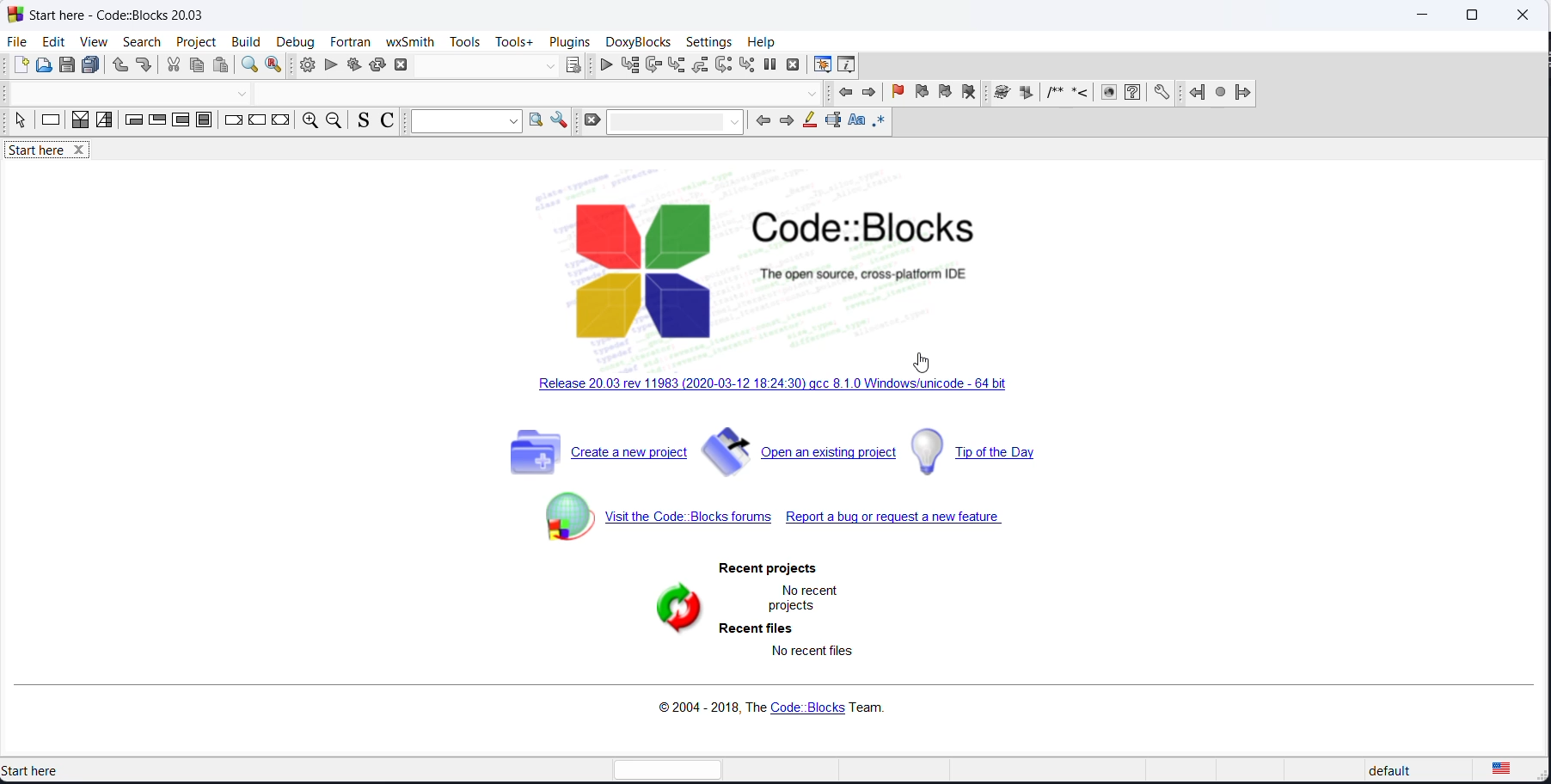  What do you see at coordinates (794, 65) in the screenshot?
I see `stop debugging` at bounding box center [794, 65].